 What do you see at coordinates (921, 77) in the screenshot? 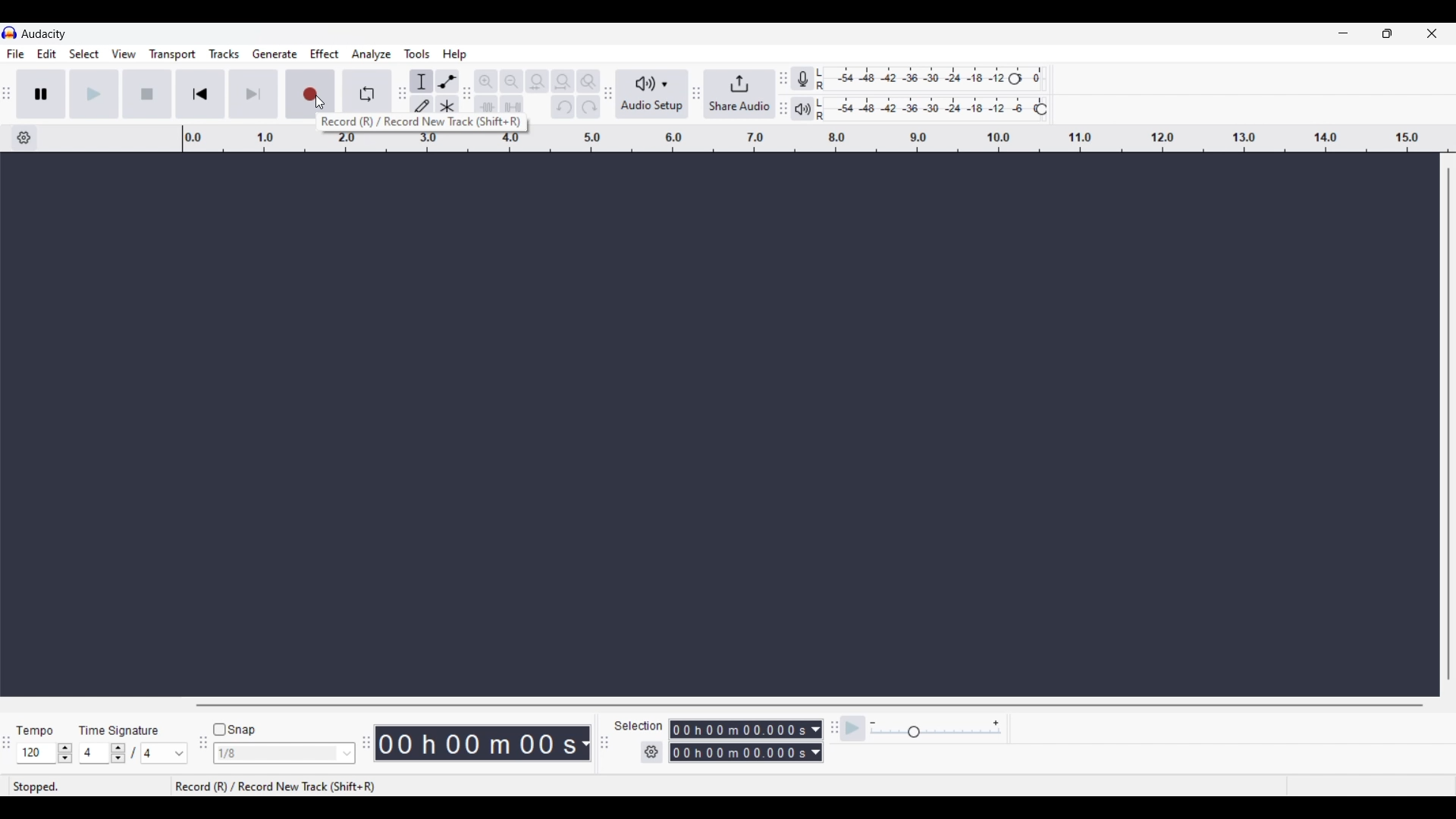
I see `Recording level` at bounding box center [921, 77].